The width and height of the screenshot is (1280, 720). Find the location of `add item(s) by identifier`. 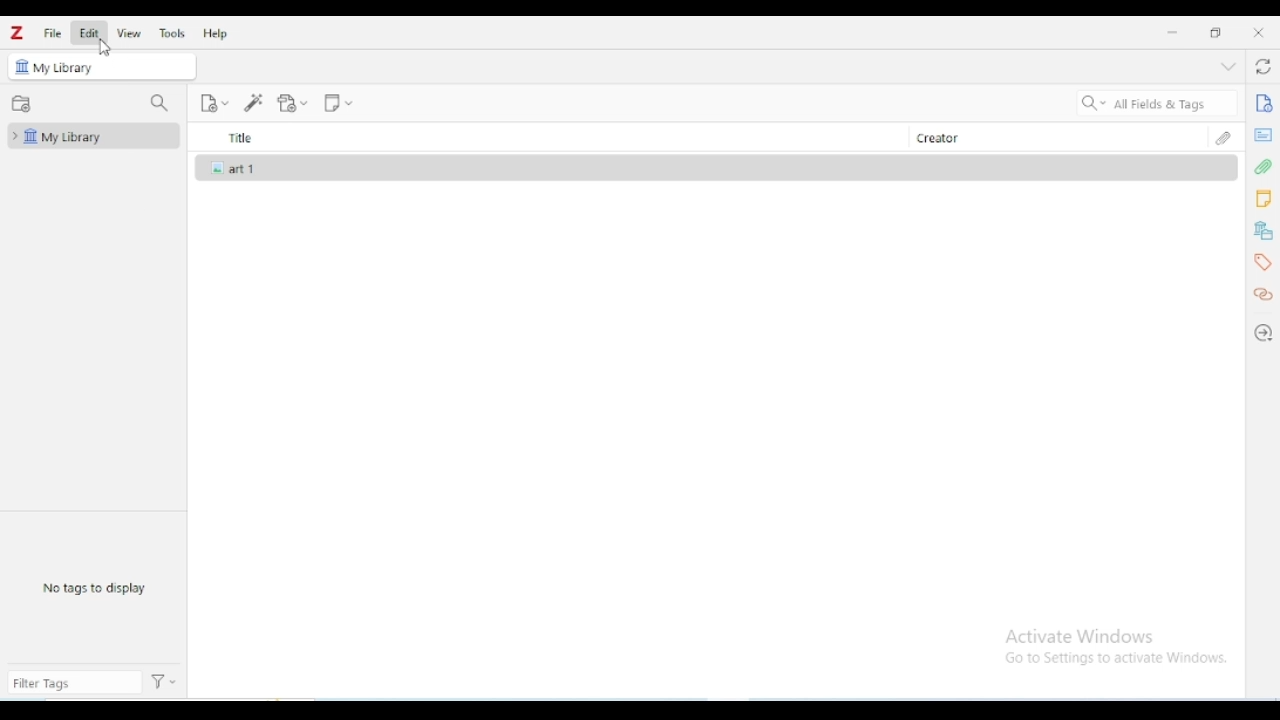

add item(s) by identifier is located at coordinates (254, 102).